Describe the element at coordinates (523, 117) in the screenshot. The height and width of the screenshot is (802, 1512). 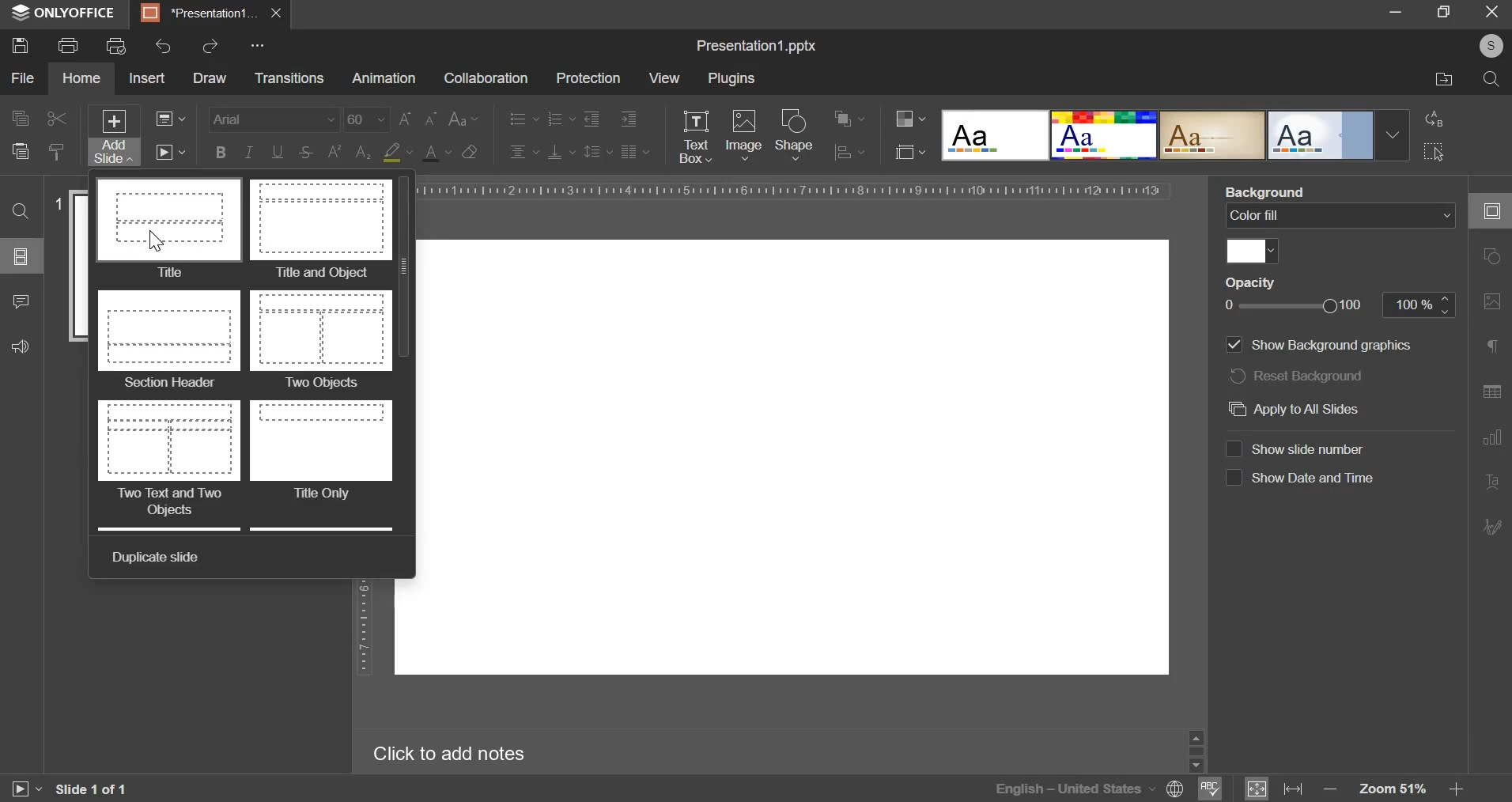
I see `bullet` at that location.